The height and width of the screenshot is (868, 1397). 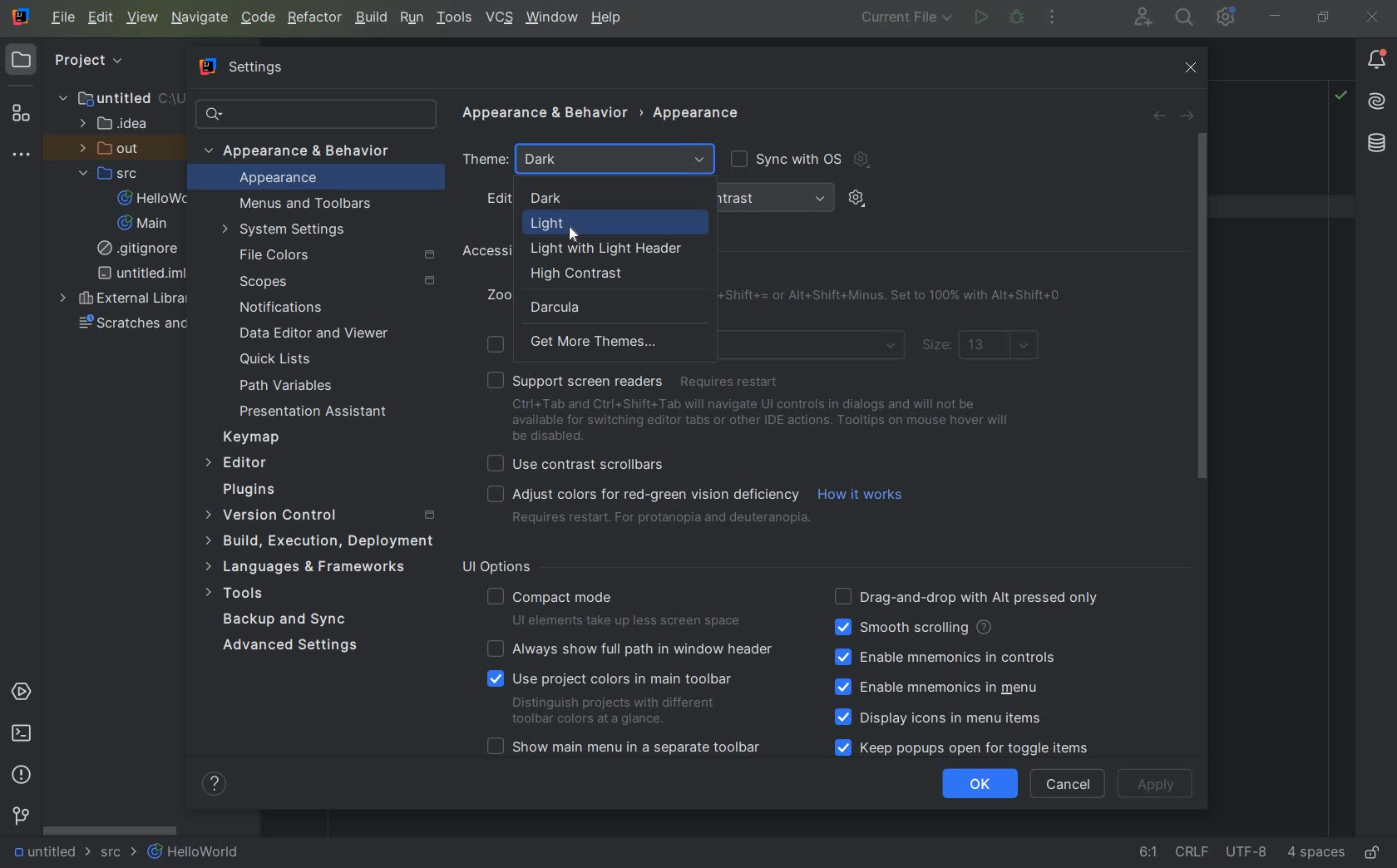 What do you see at coordinates (318, 515) in the screenshot?
I see `VERSION CONTROL` at bounding box center [318, 515].